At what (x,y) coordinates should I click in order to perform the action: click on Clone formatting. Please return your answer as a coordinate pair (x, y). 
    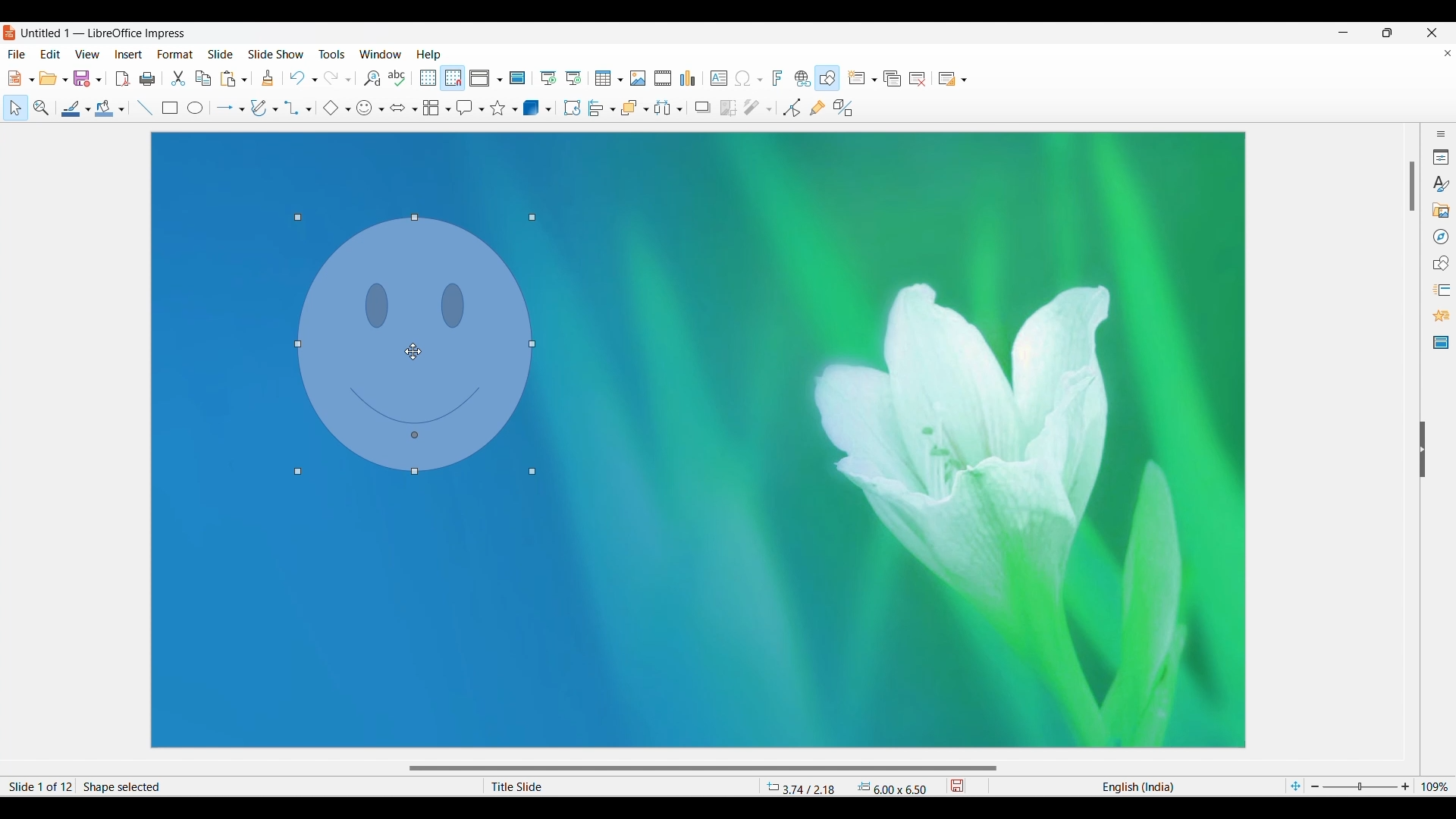
    Looking at the image, I should click on (268, 77).